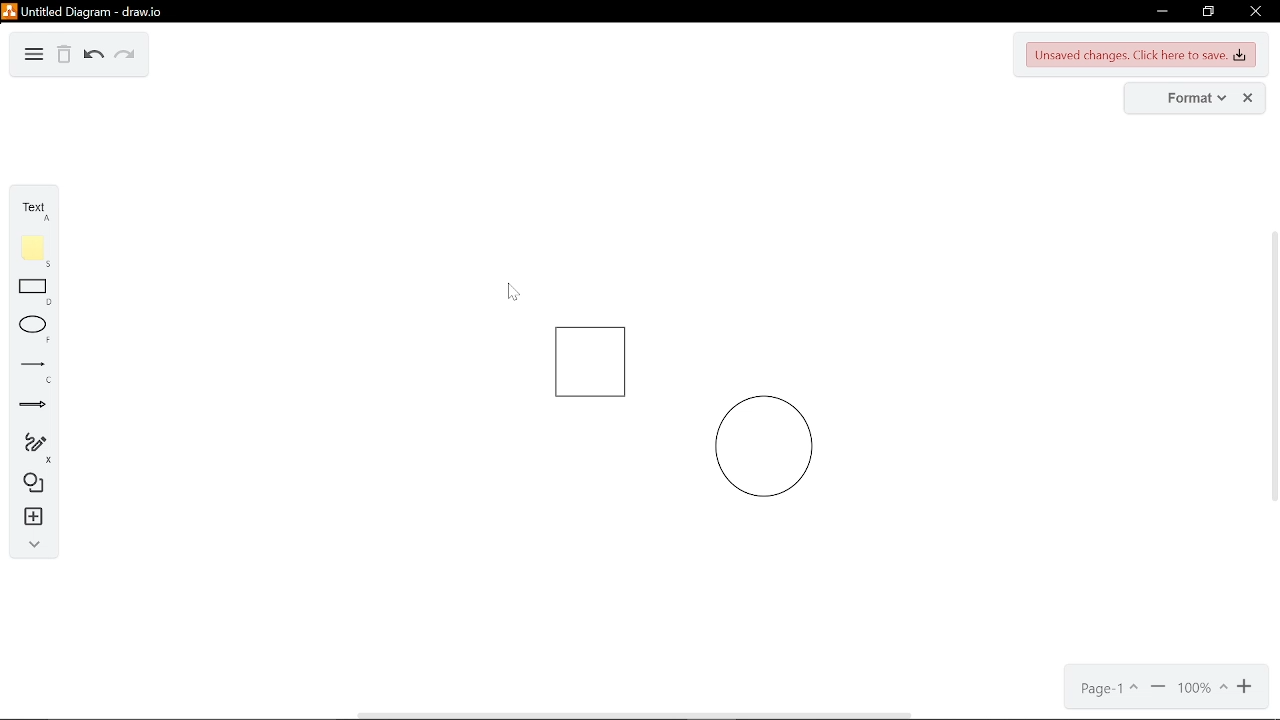 This screenshot has width=1280, height=720. What do you see at coordinates (30, 486) in the screenshot?
I see `shapes` at bounding box center [30, 486].